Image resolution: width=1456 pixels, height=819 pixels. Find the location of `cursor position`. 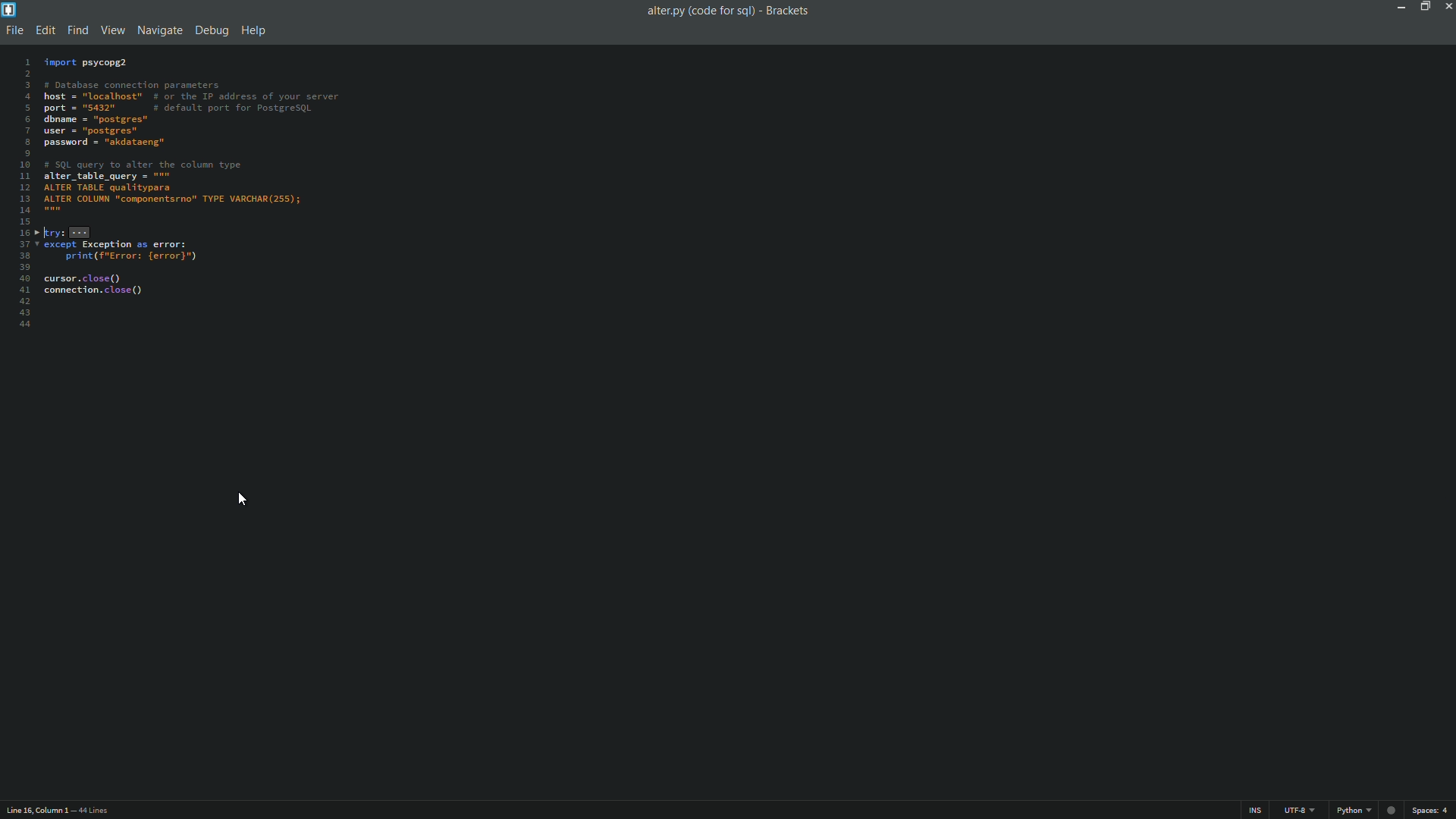

cursor position is located at coordinates (39, 809).